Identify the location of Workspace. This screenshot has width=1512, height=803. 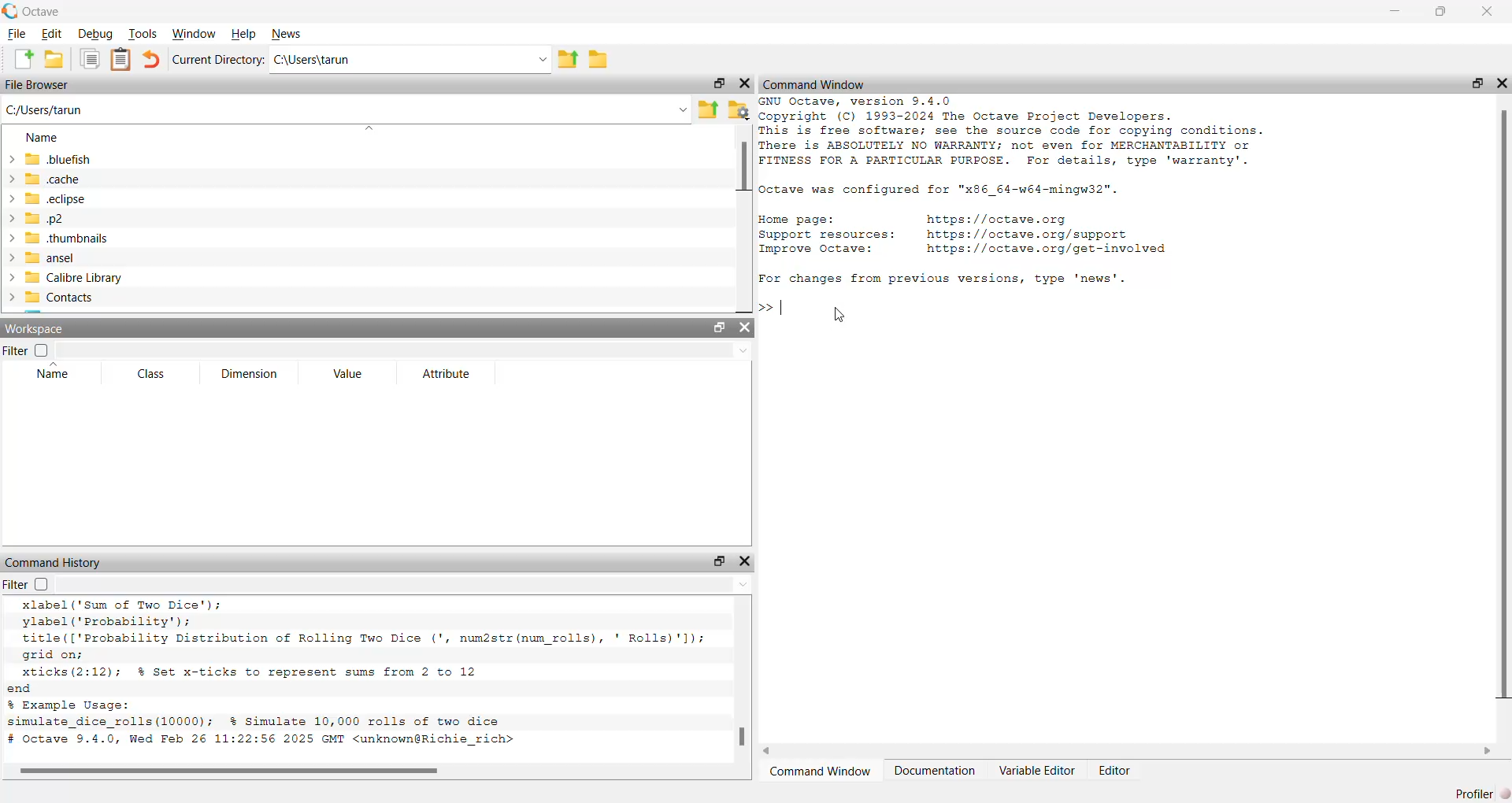
(38, 328).